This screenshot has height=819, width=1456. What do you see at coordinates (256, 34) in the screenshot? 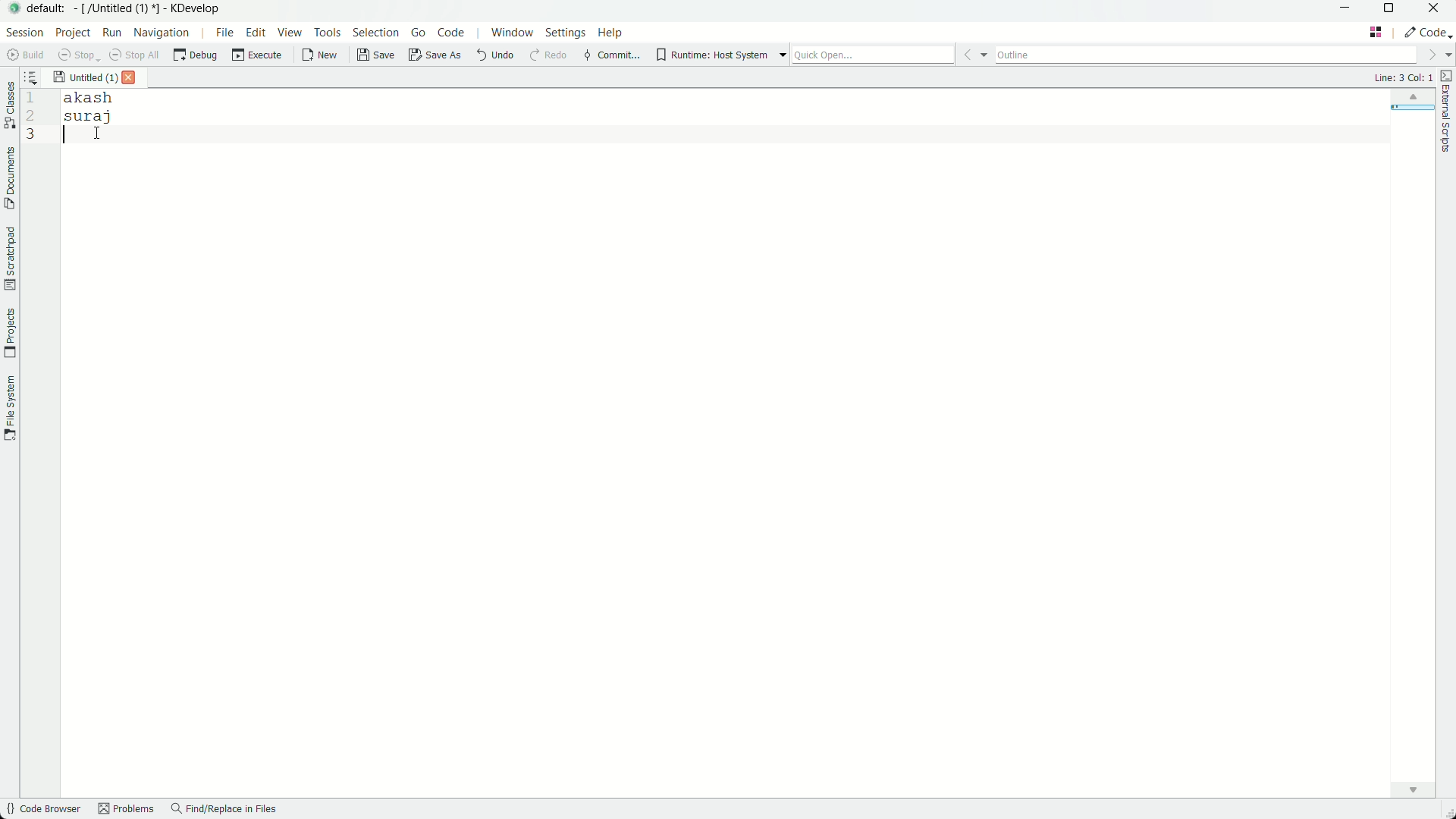
I see `edit menu ` at bounding box center [256, 34].